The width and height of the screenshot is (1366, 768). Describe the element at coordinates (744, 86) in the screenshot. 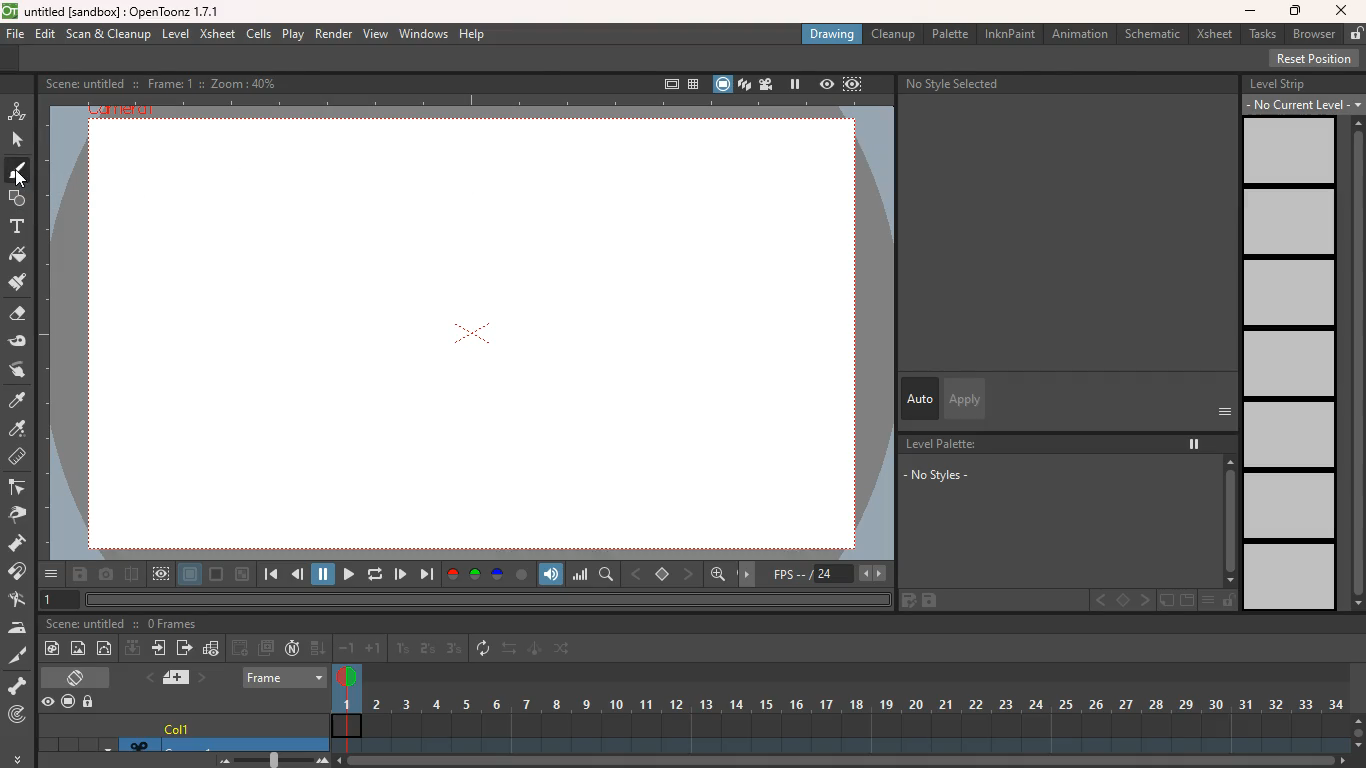

I see `layers` at that location.